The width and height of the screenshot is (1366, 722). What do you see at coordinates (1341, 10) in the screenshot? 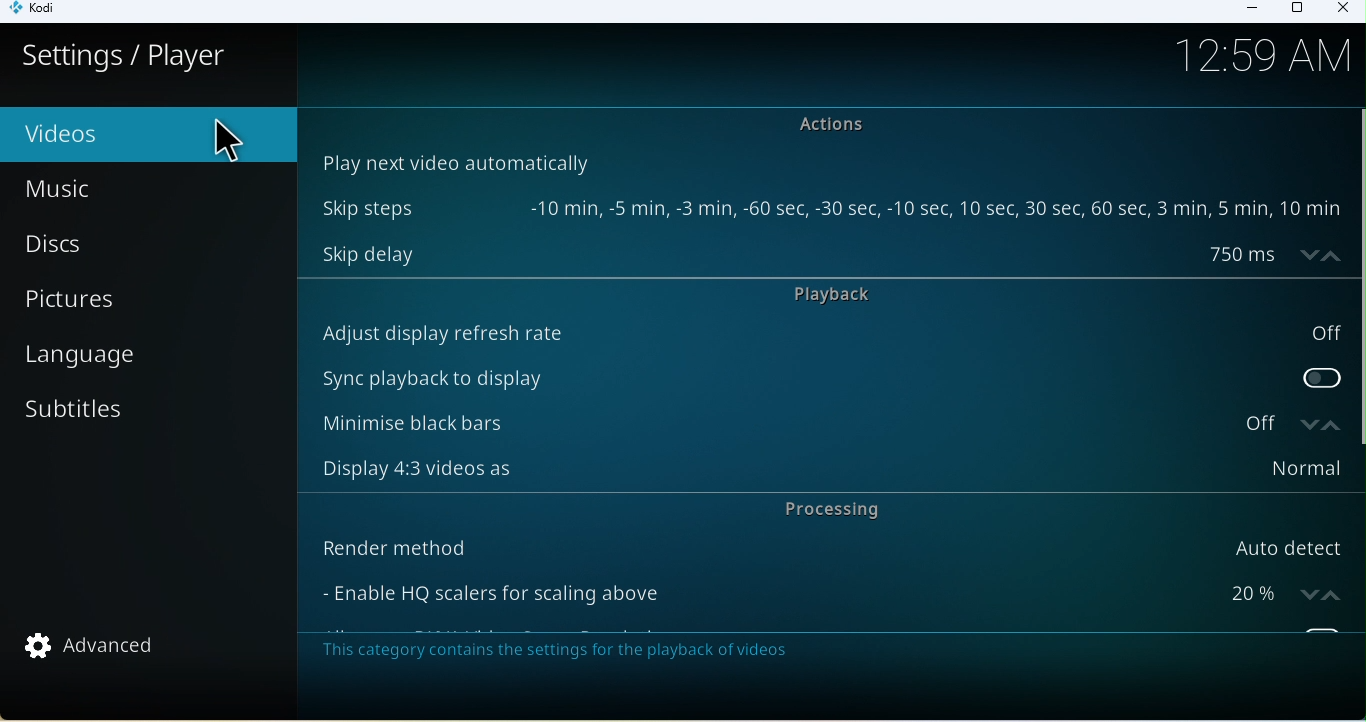
I see `Close` at bounding box center [1341, 10].